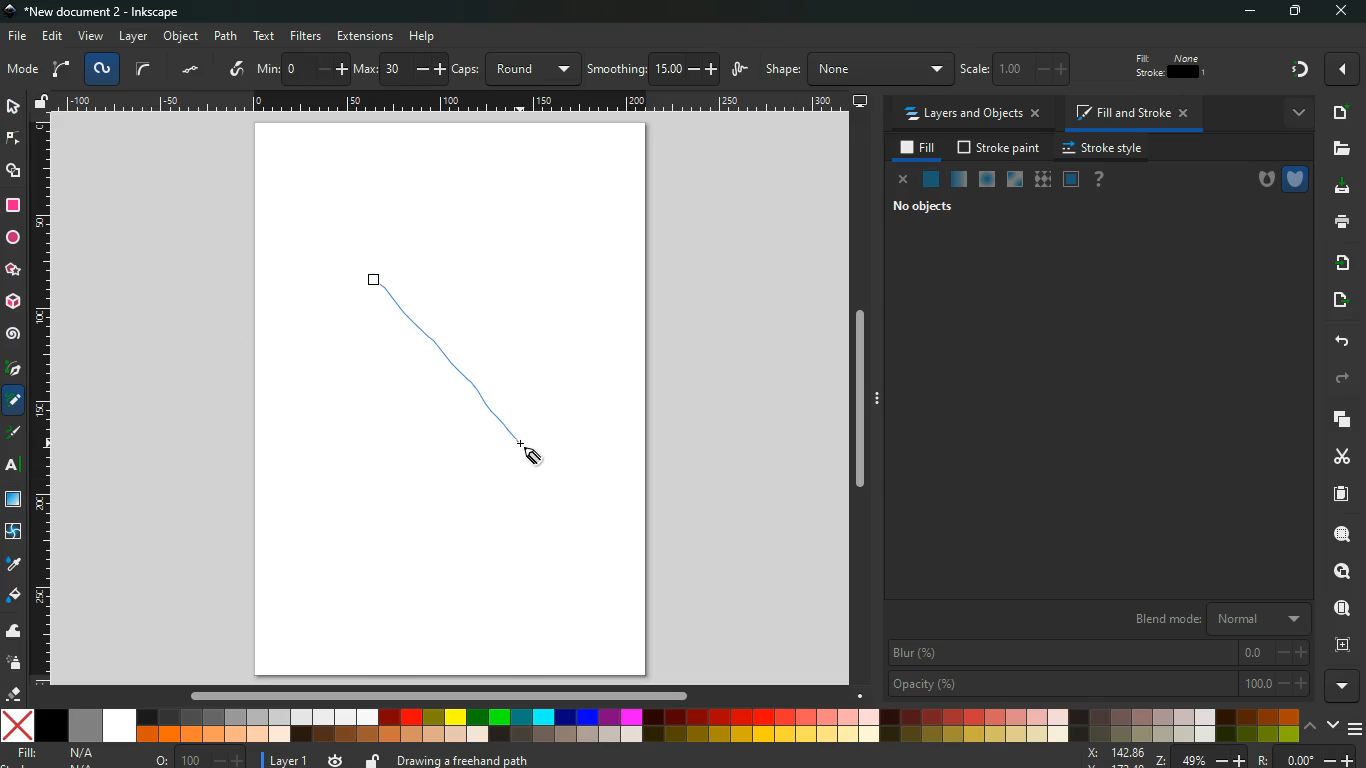  I want to click on Freehand Line, so click(441, 356).